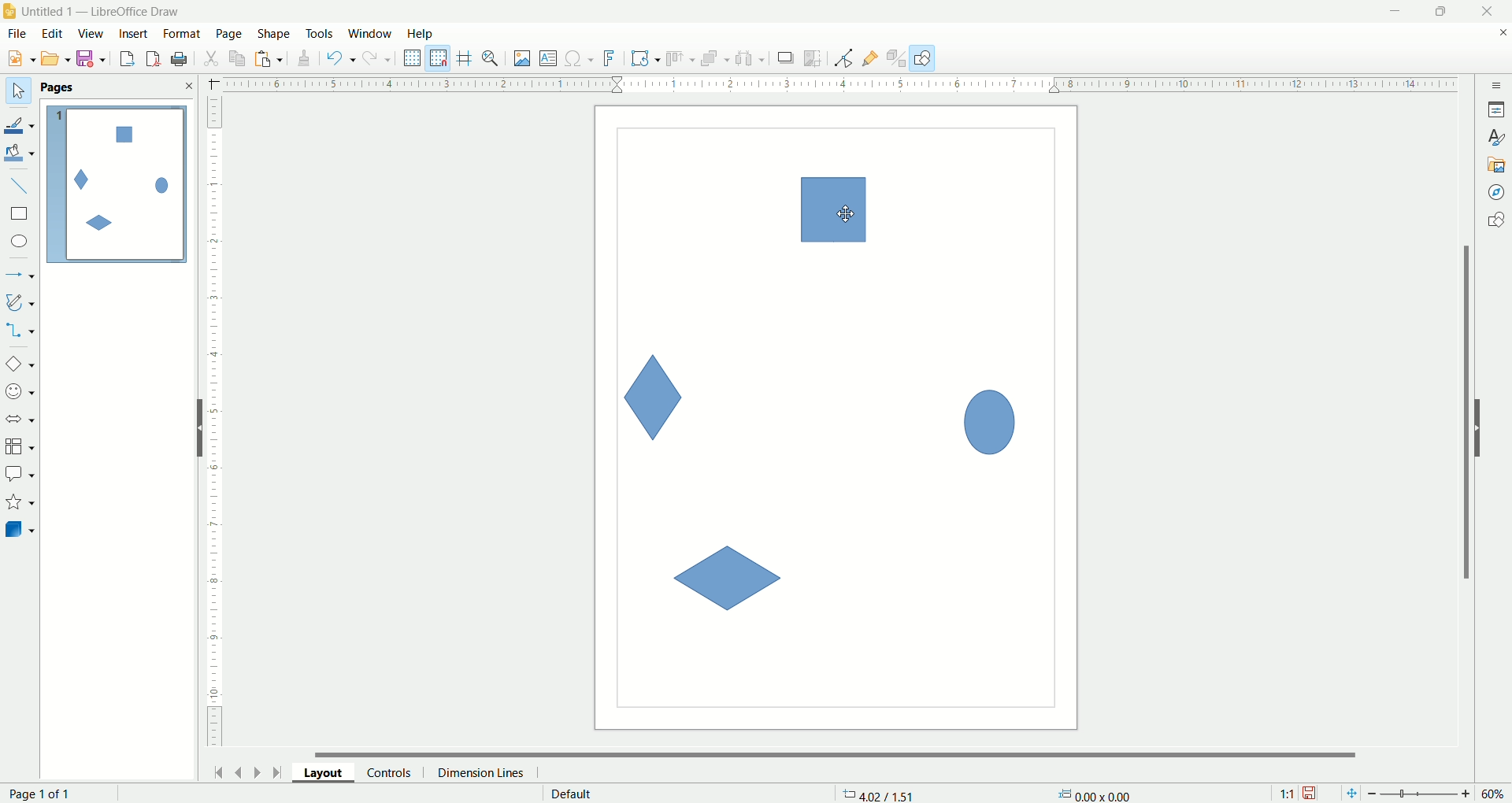 The image size is (1512, 803). Describe the element at coordinates (1496, 109) in the screenshot. I see `properties` at that location.